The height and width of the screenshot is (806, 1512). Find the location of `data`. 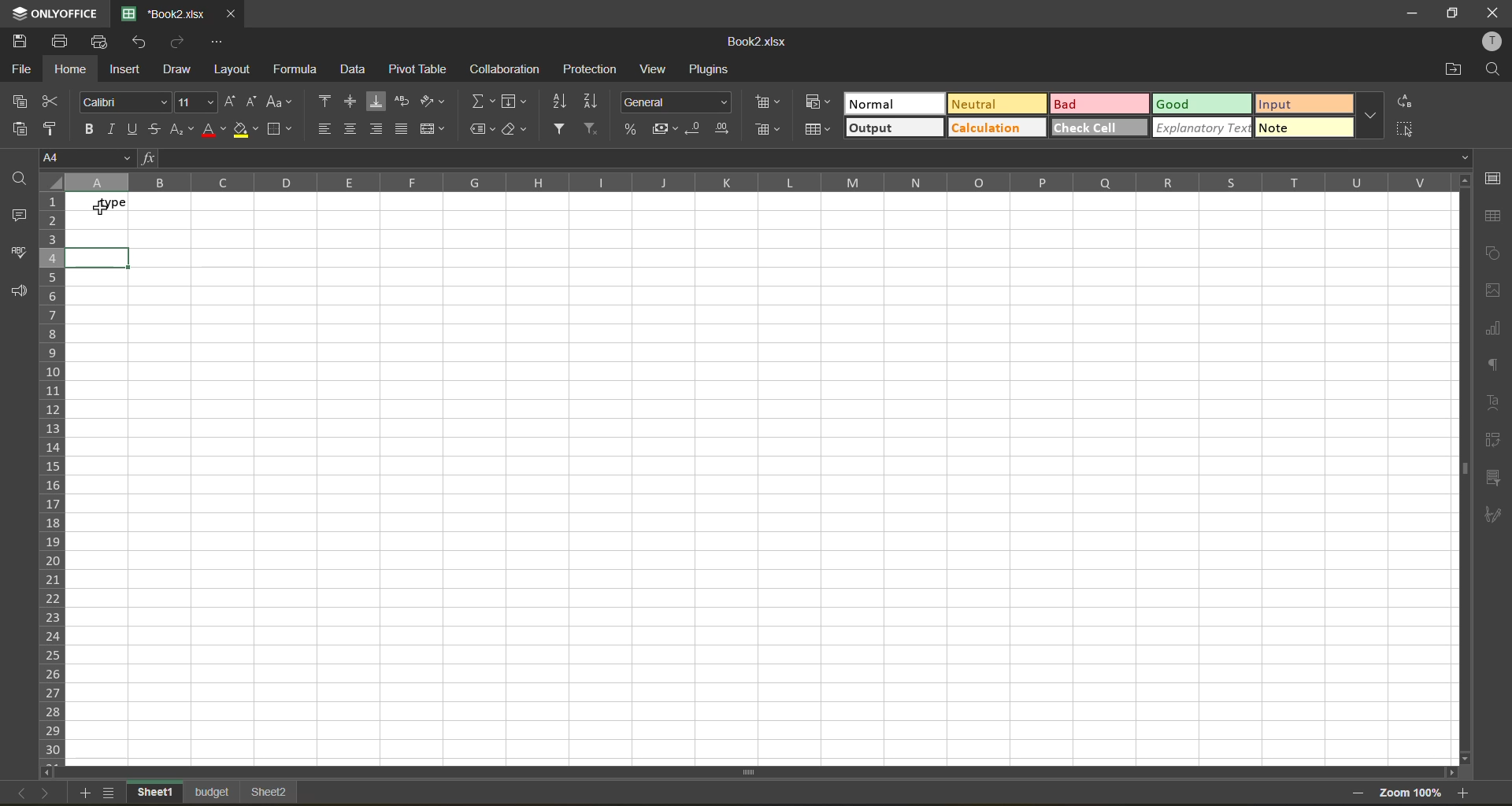

data is located at coordinates (354, 69).